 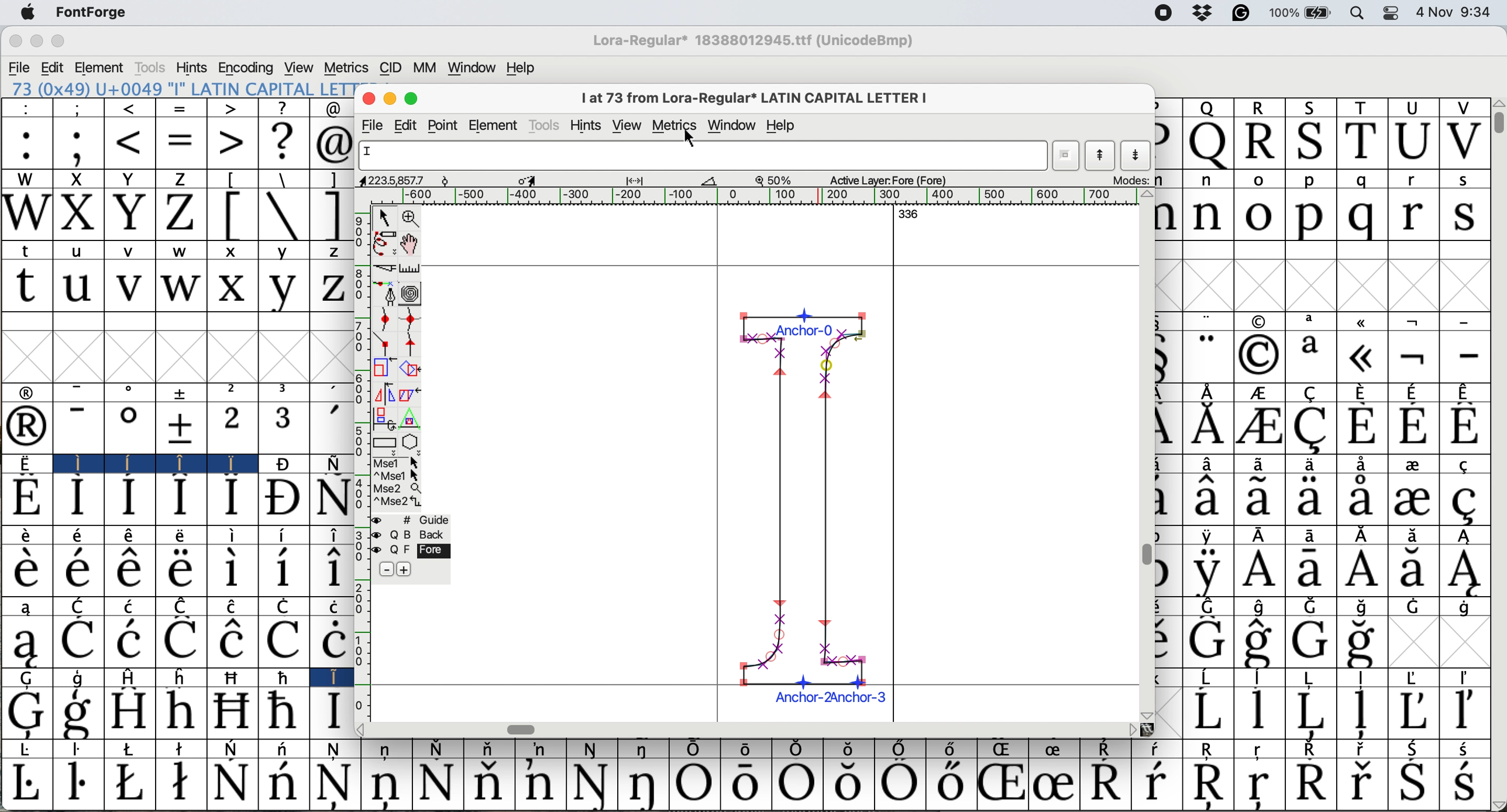 I want to click on Symbol, so click(x=339, y=750).